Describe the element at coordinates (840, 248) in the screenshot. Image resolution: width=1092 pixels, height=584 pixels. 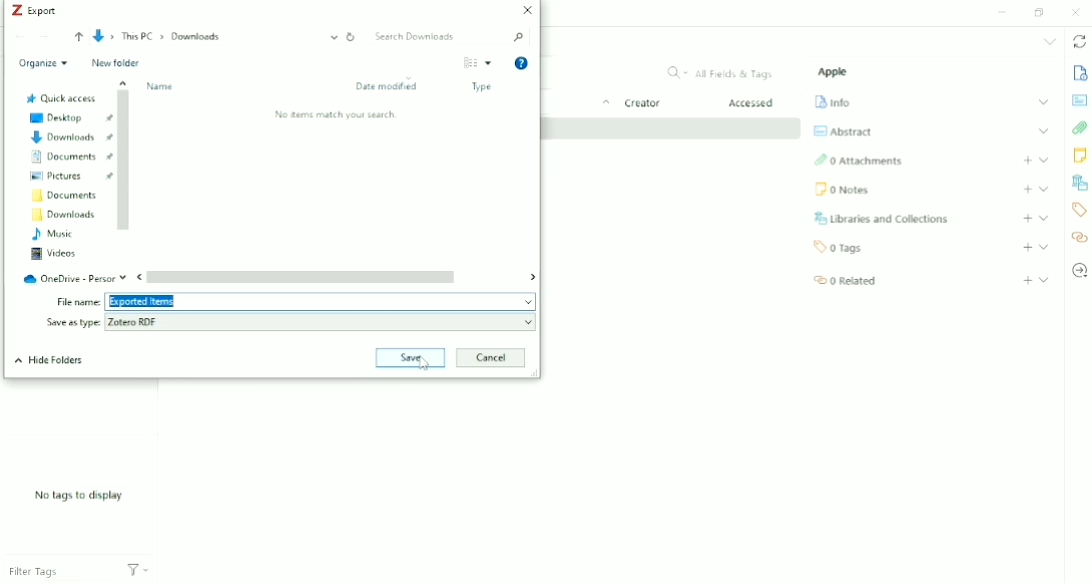
I see `Tags` at that location.